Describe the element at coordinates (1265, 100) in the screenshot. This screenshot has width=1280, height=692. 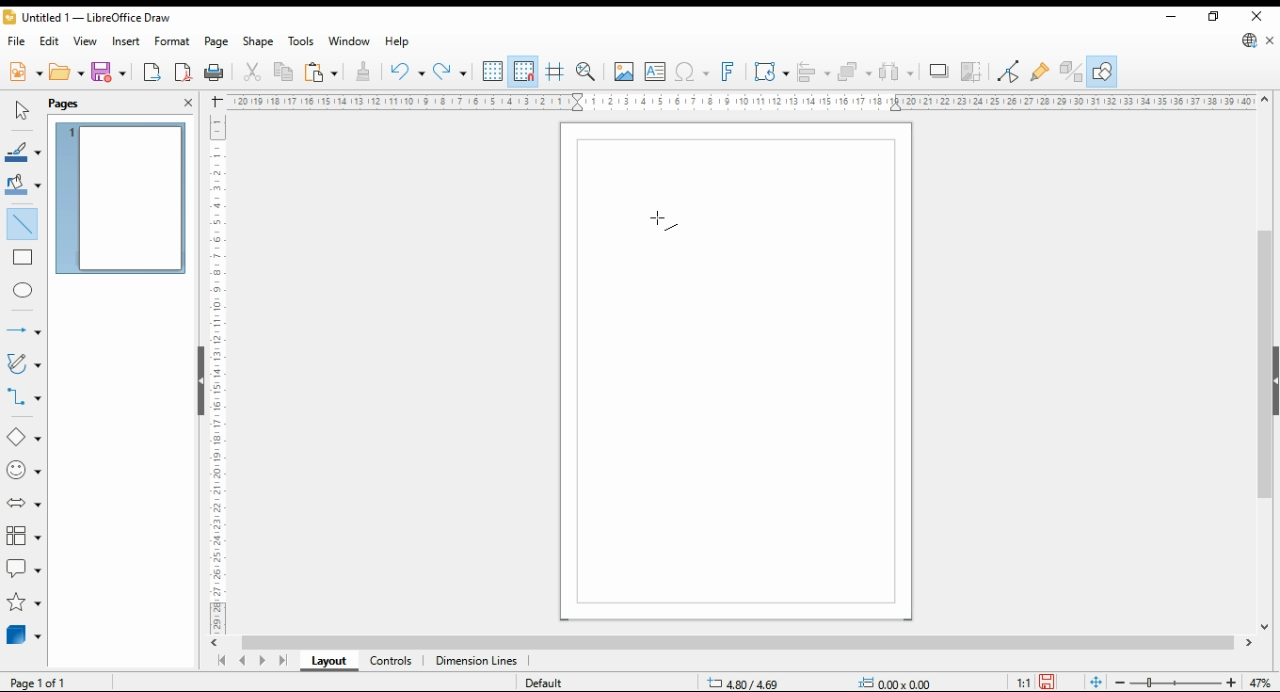
I see `move up` at that location.